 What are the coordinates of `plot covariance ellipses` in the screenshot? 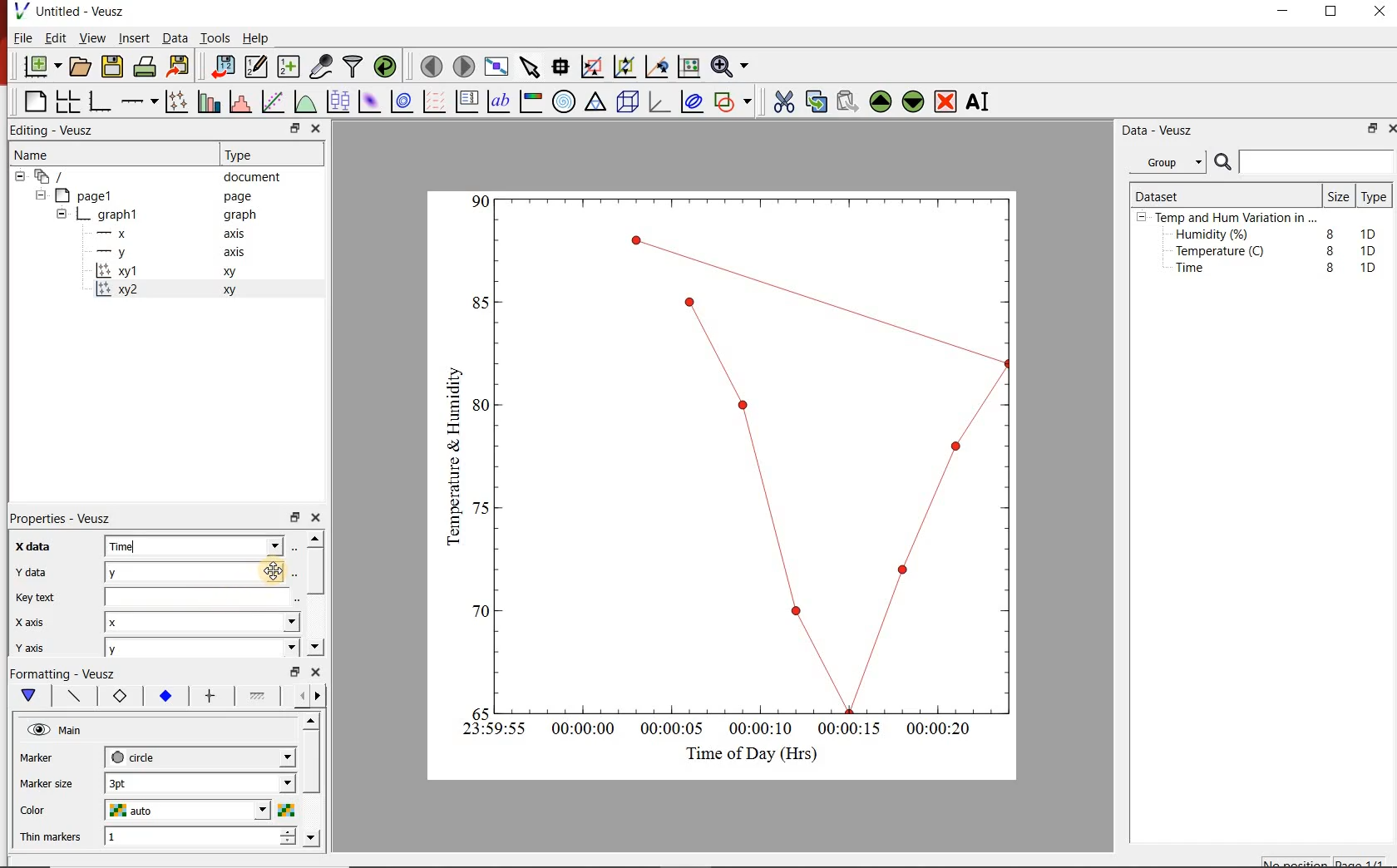 It's located at (696, 105).